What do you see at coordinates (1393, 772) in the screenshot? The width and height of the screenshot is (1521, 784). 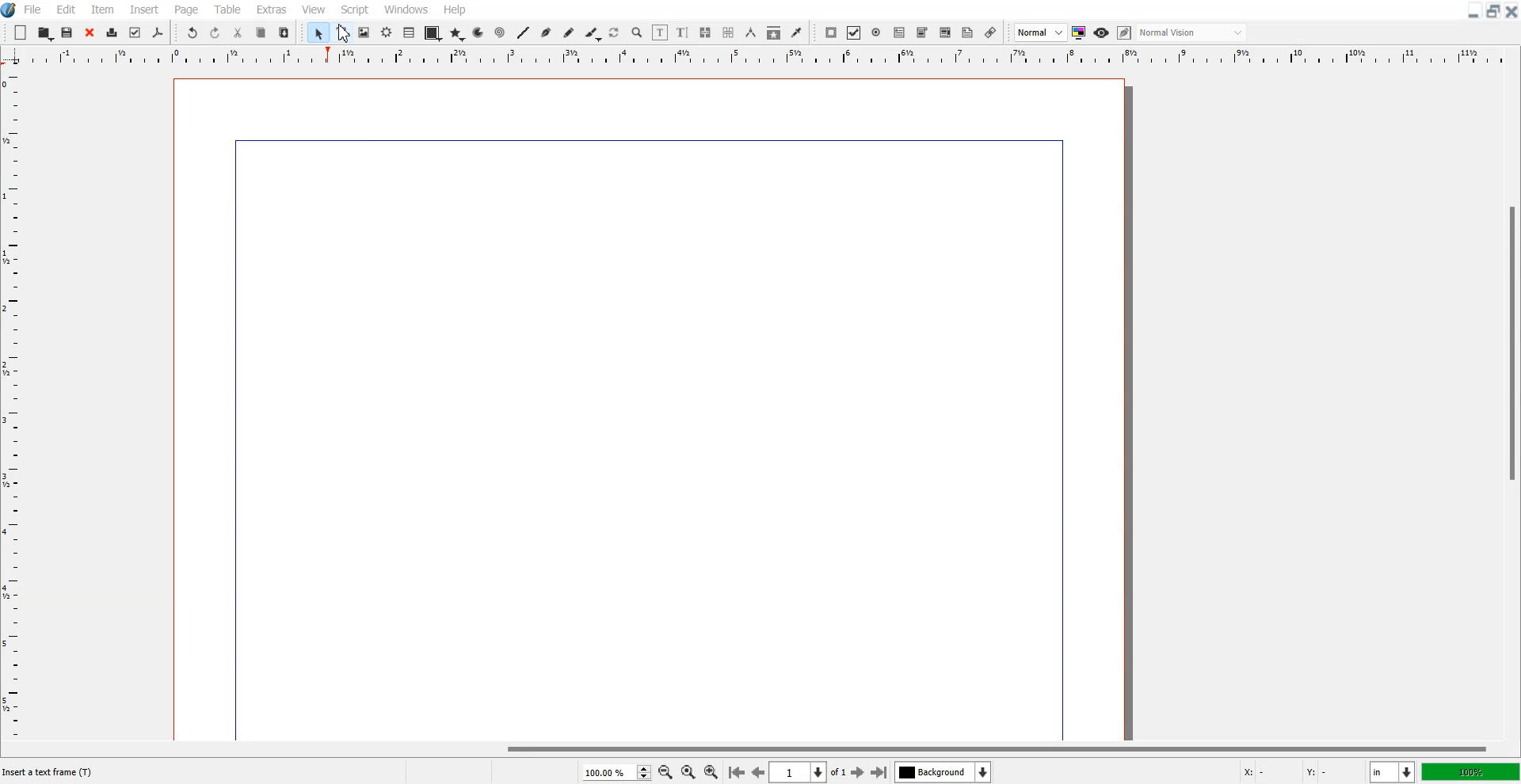 I see `Measurement in Inches` at bounding box center [1393, 772].